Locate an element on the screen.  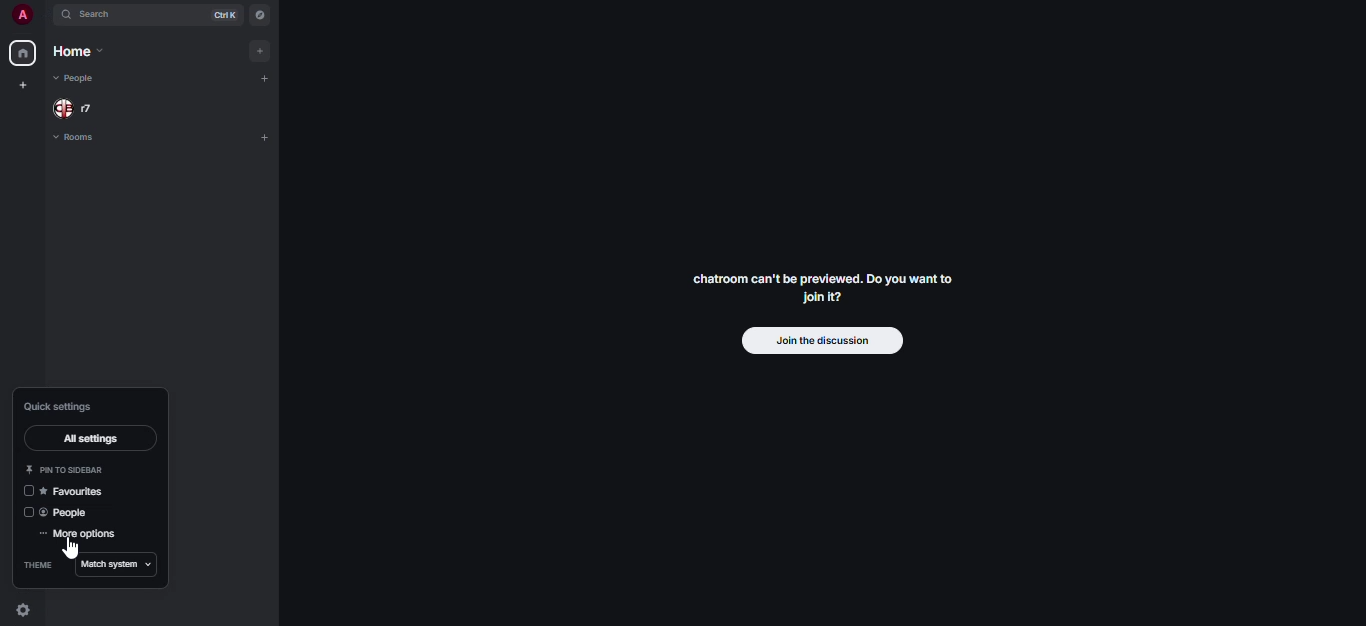
join the discussion is located at coordinates (822, 341).